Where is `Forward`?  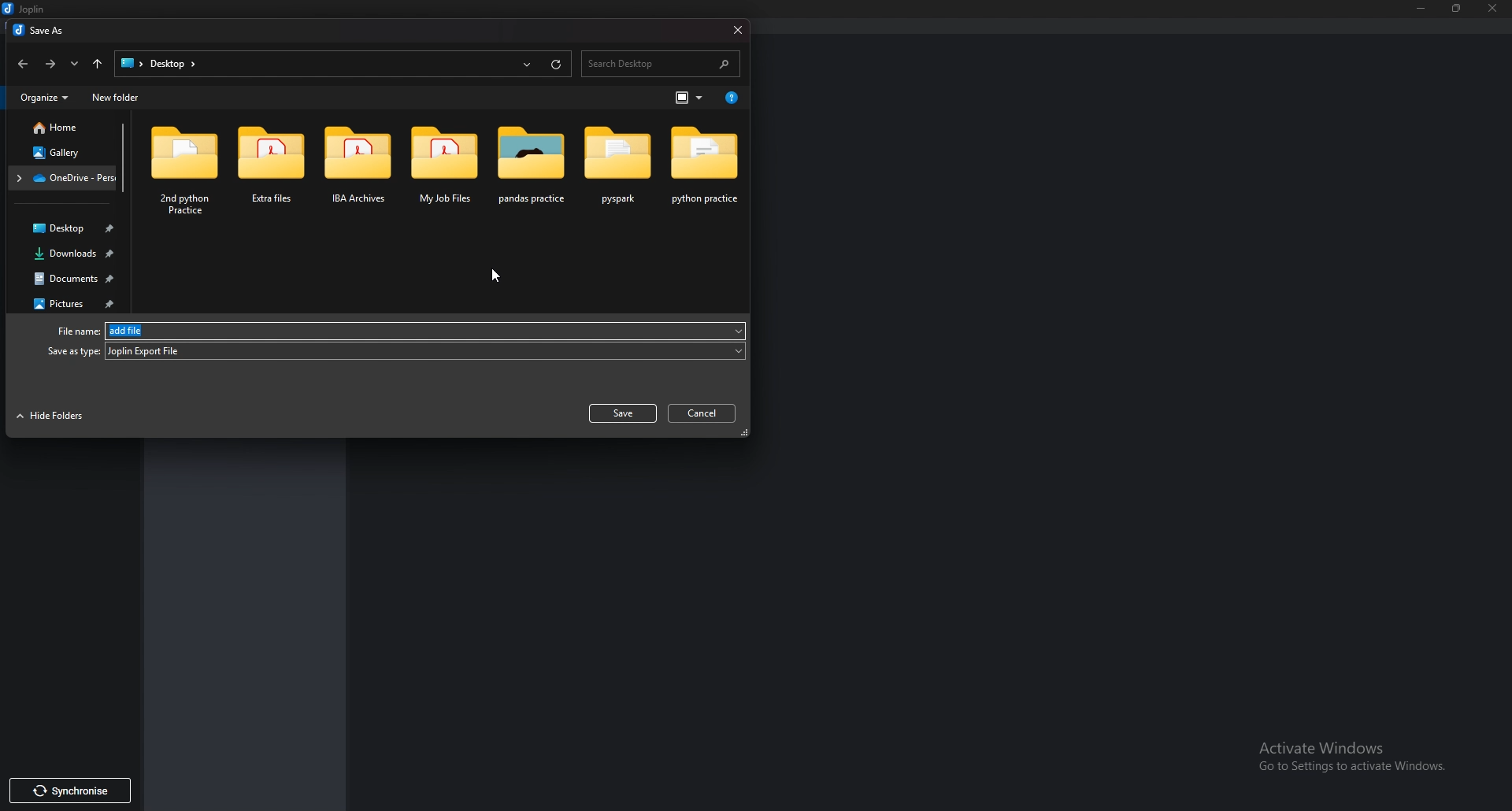
Forward is located at coordinates (51, 65).